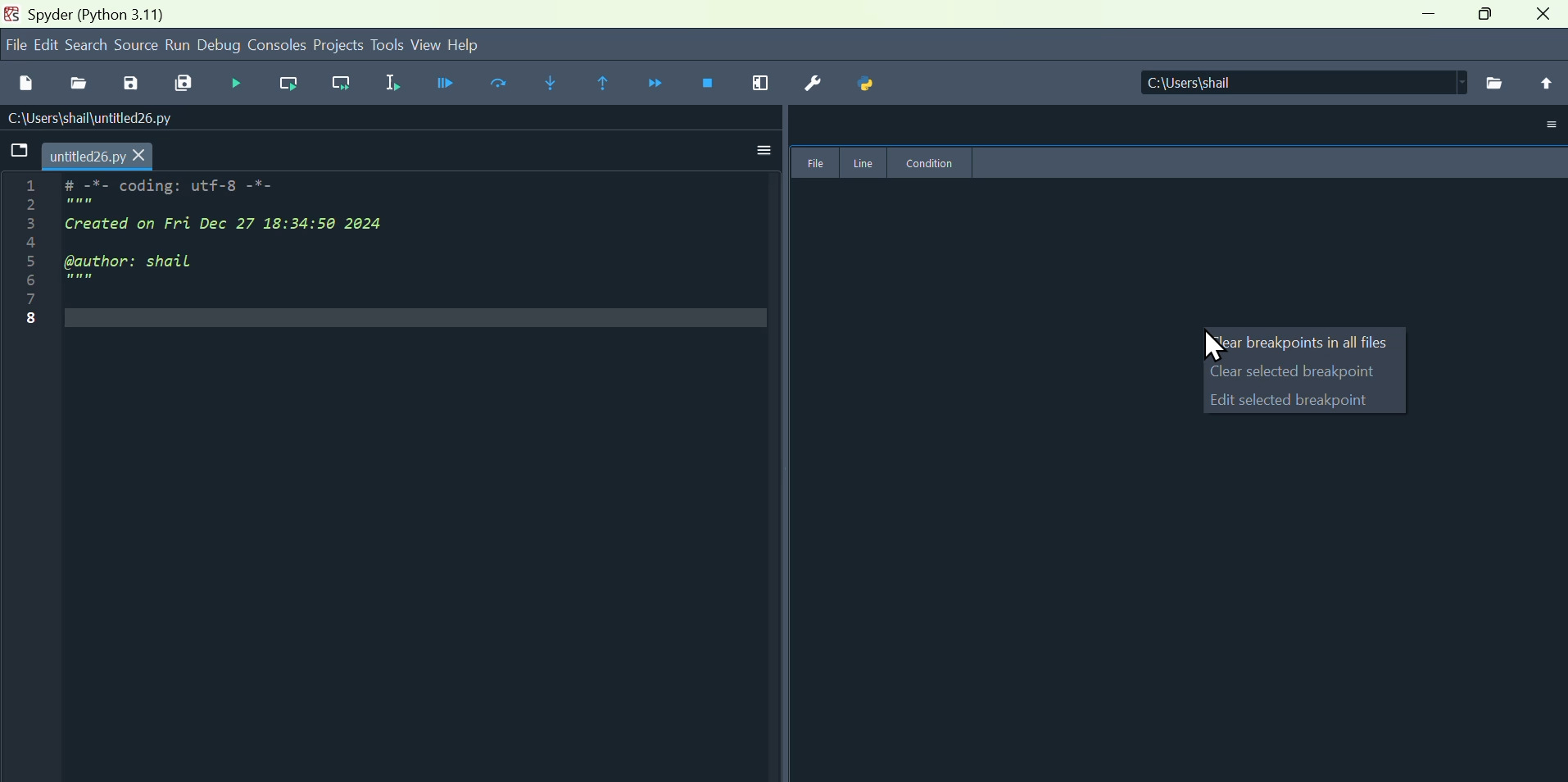  Describe the element at coordinates (424, 44) in the screenshot. I see `View` at that location.